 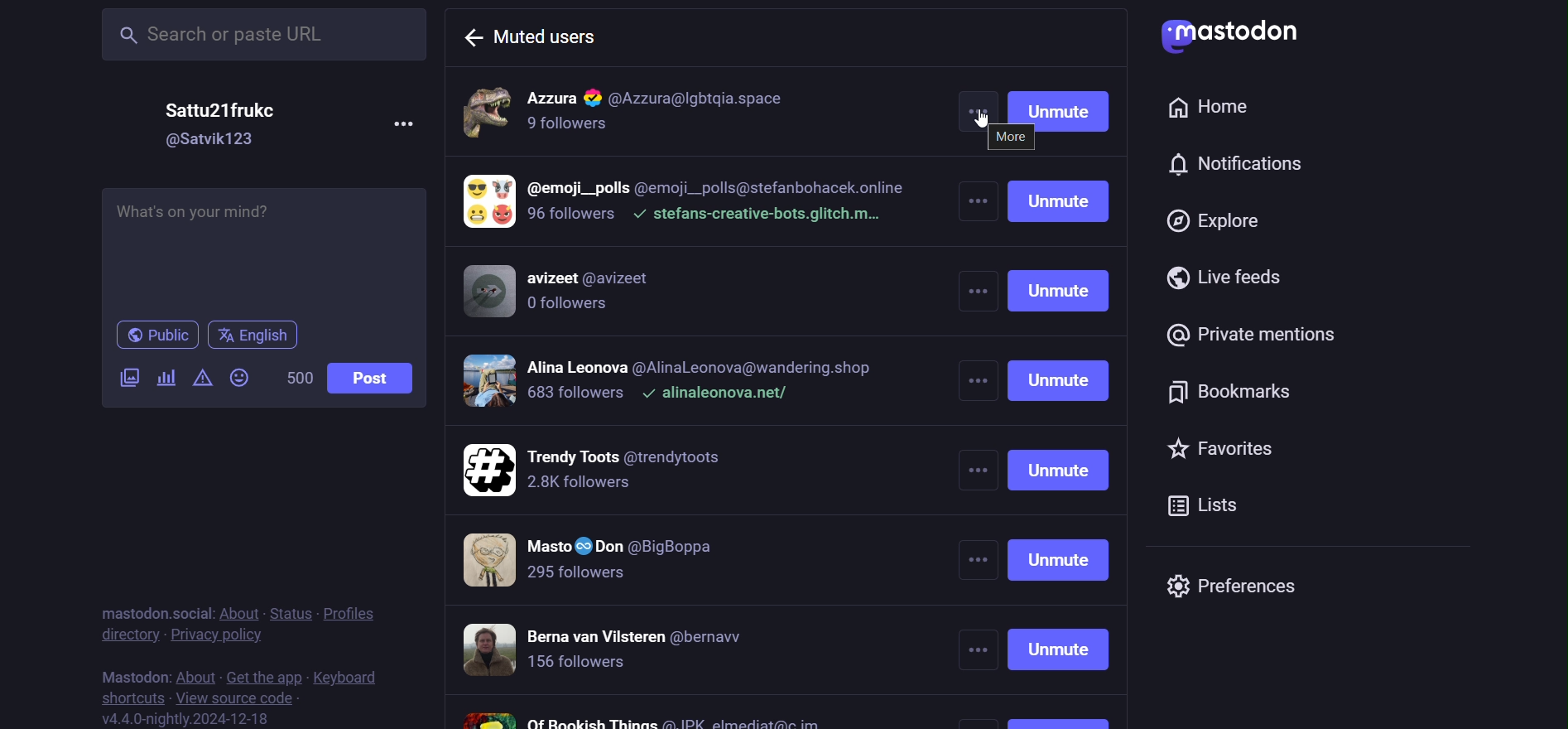 What do you see at coordinates (694, 108) in the screenshot?
I see `muter users 1` at bounding box center [694, 108].